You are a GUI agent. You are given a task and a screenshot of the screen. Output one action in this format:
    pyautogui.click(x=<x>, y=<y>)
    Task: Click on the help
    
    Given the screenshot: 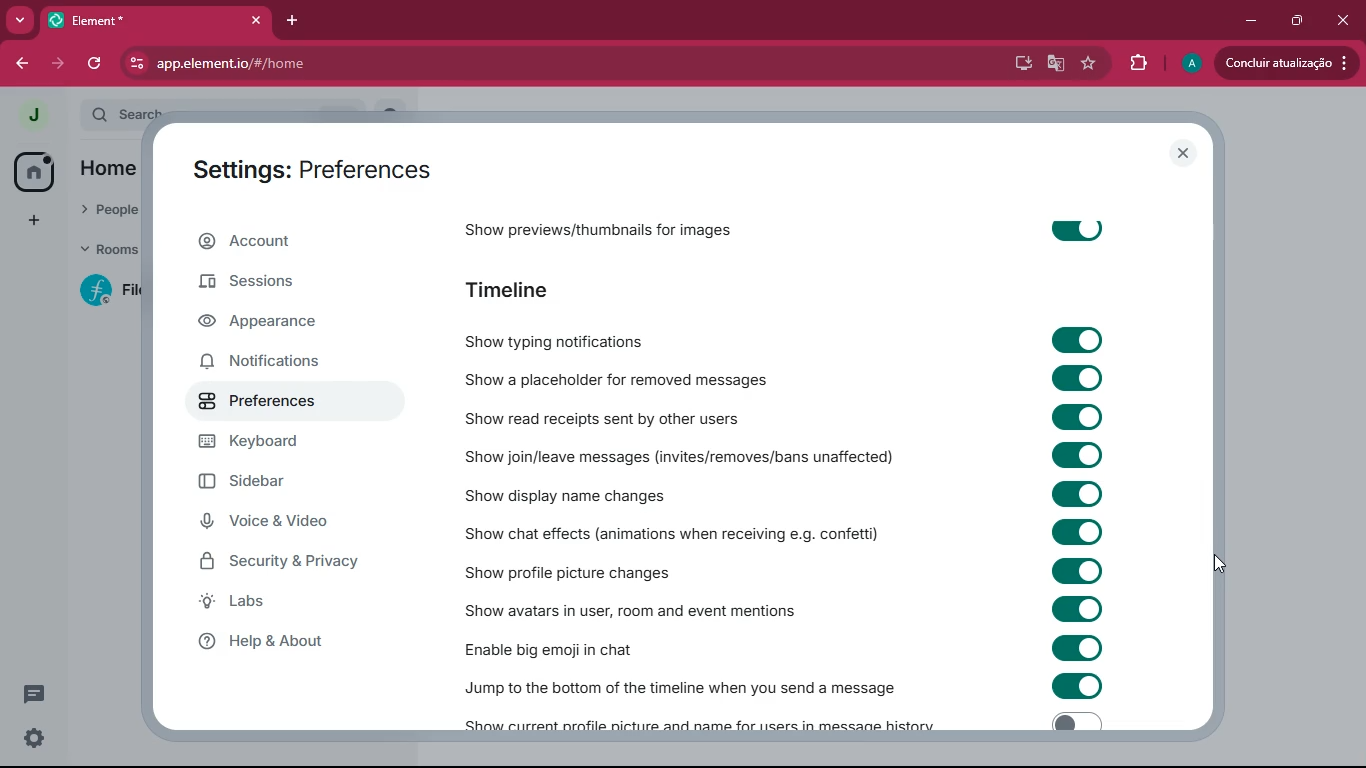 What is the action you would take?
    pyautogui.click(x=294, y=643)
    